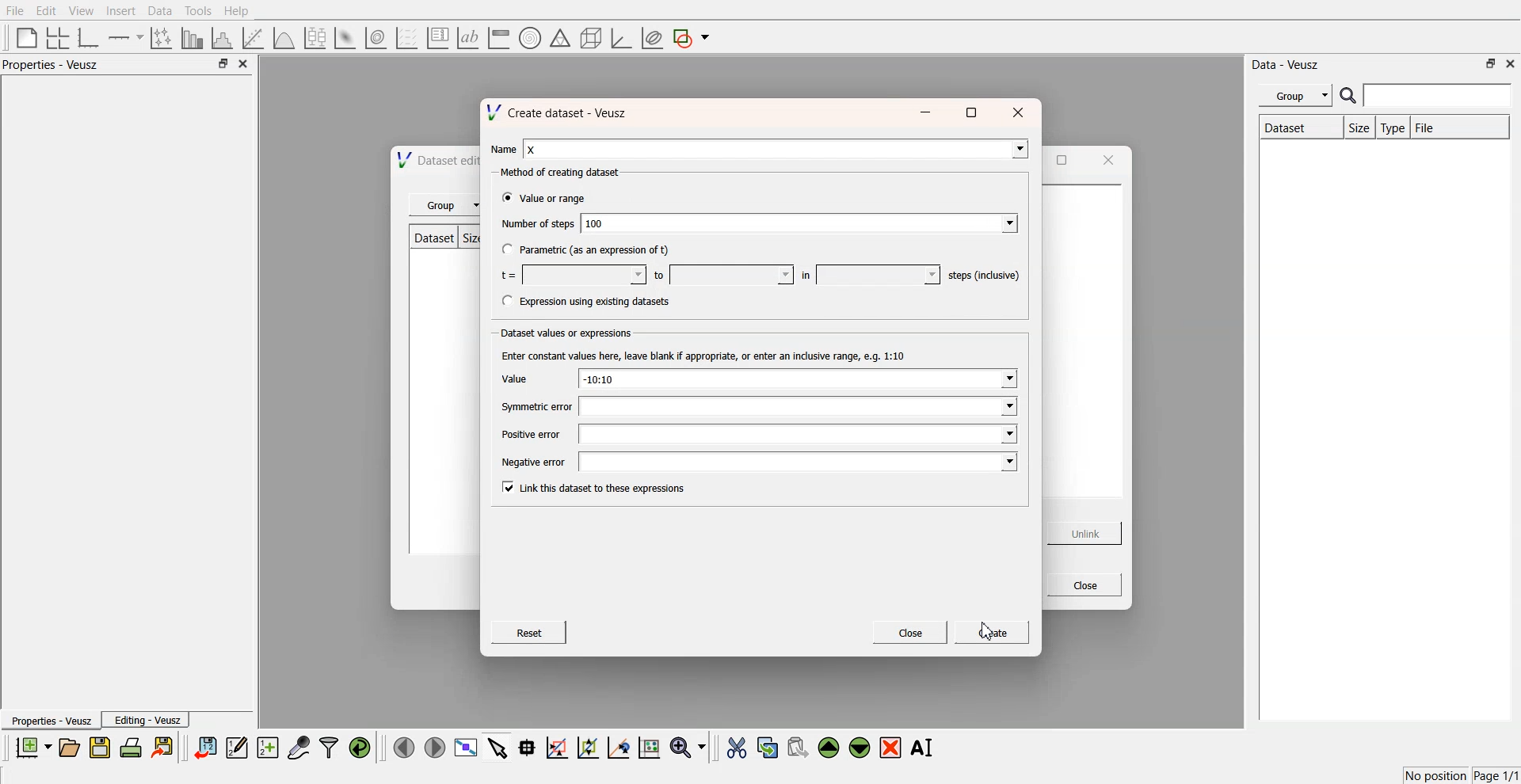 The height and width of the screenshot is (784, 1521). Describe the element at coordinates (465, 748) in the screenshot. I see `view plot full screen` at that location.